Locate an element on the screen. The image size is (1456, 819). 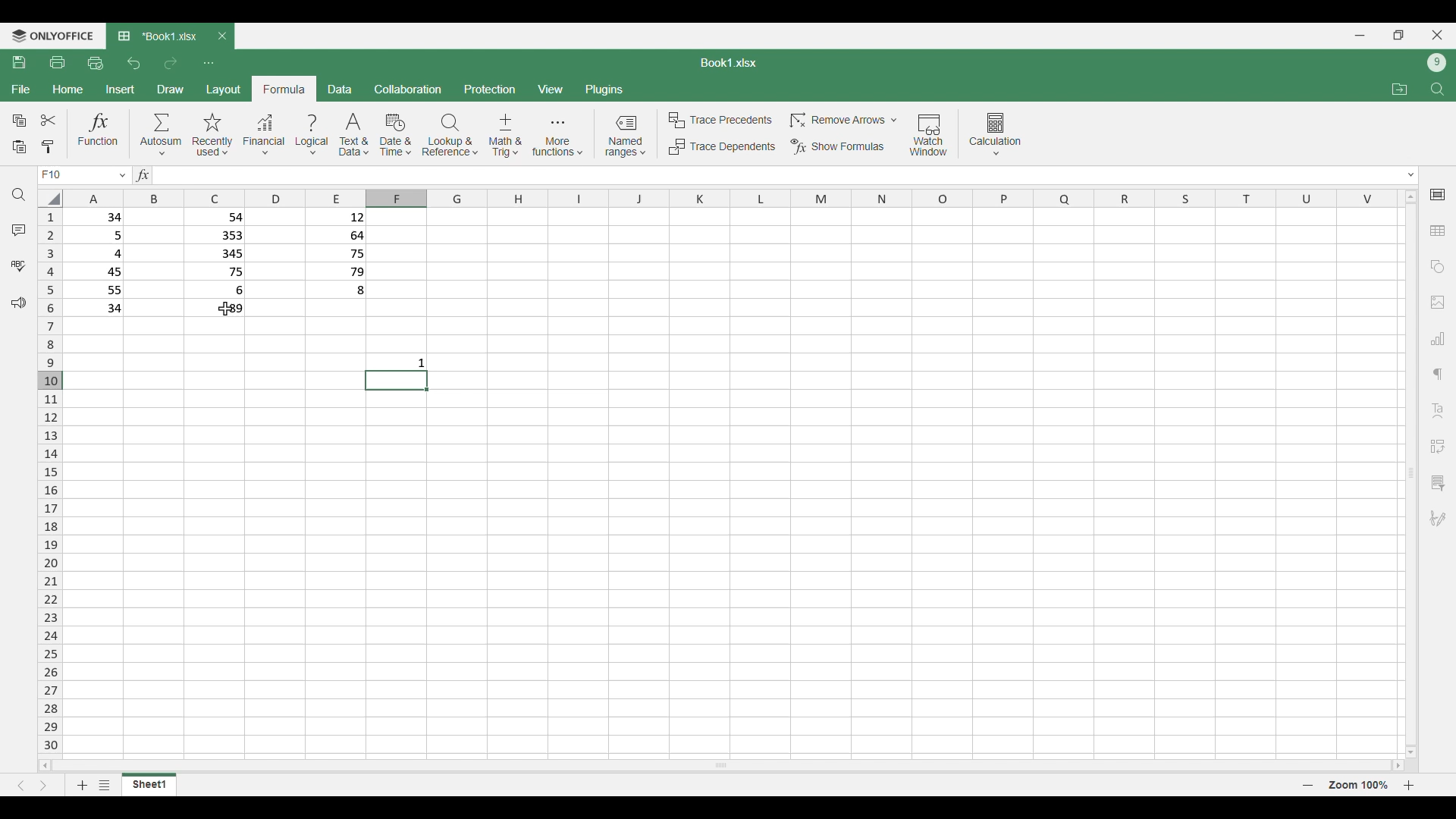
Filled cells is located at coordinates (337, 254).